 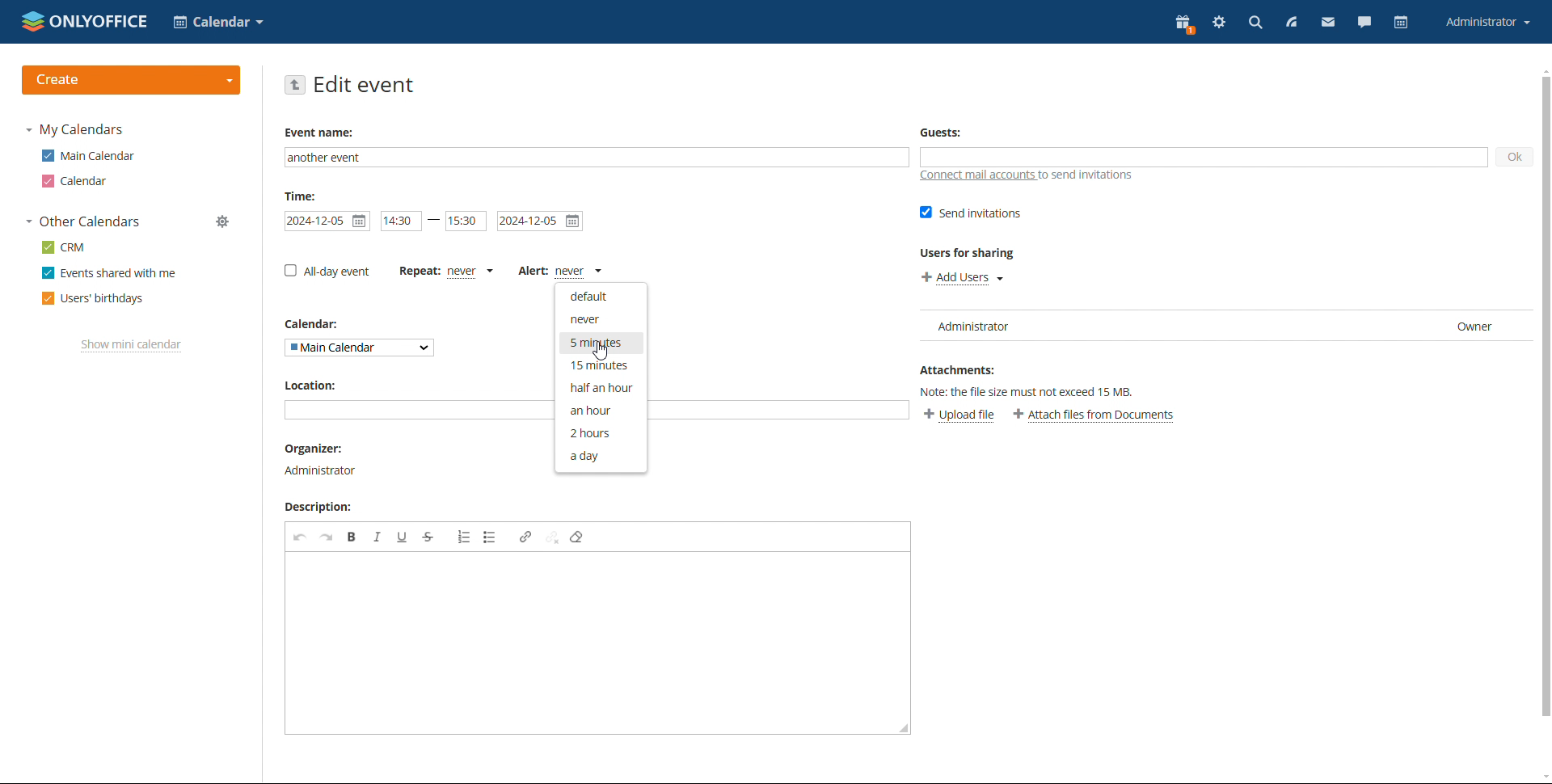 What do you see at coordinates (327, 221) in the screenshot?
I see `start date` at bounding box center [327, 221].